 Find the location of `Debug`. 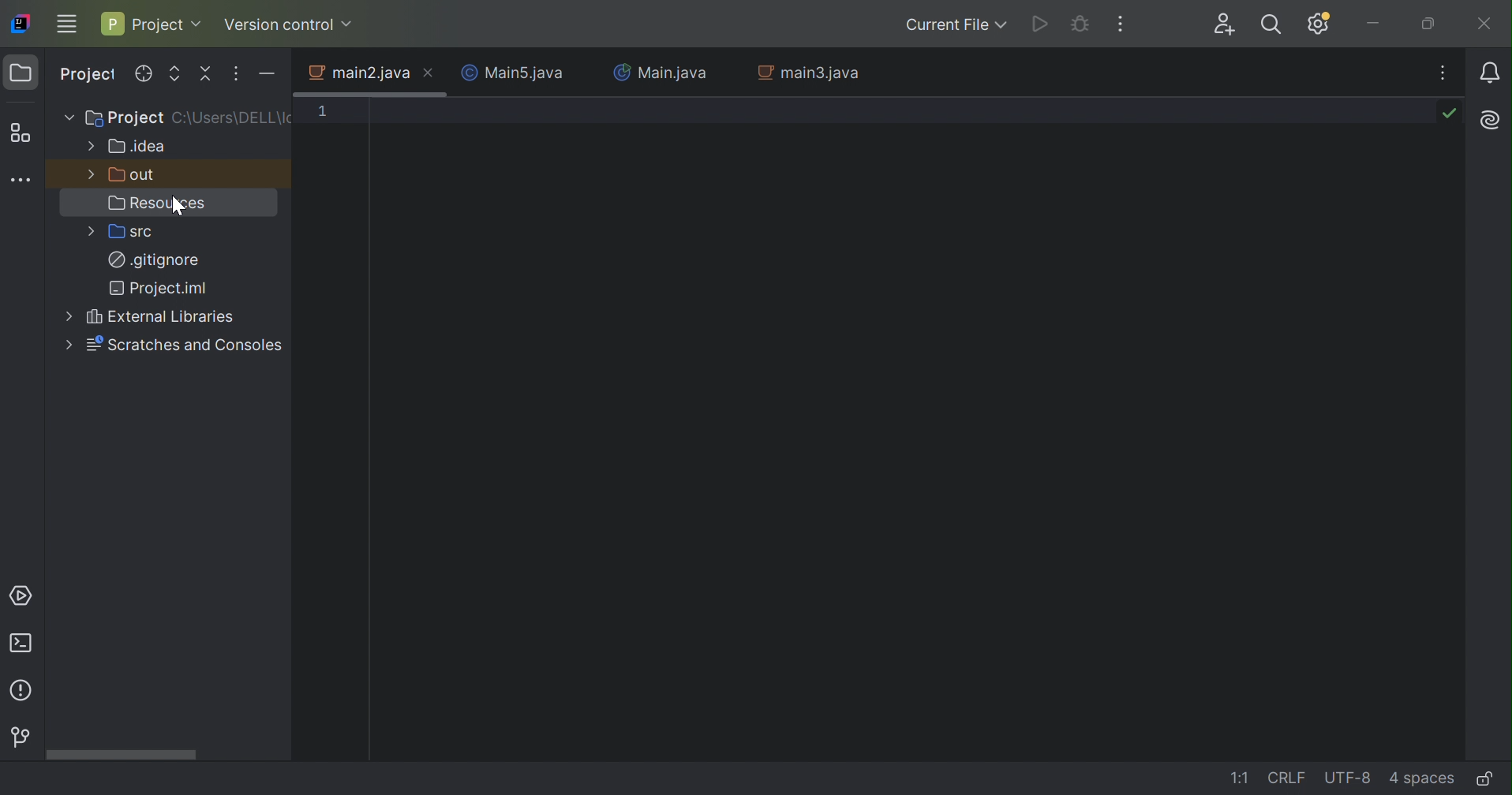

Debug is located at coordinates (1078, 23).